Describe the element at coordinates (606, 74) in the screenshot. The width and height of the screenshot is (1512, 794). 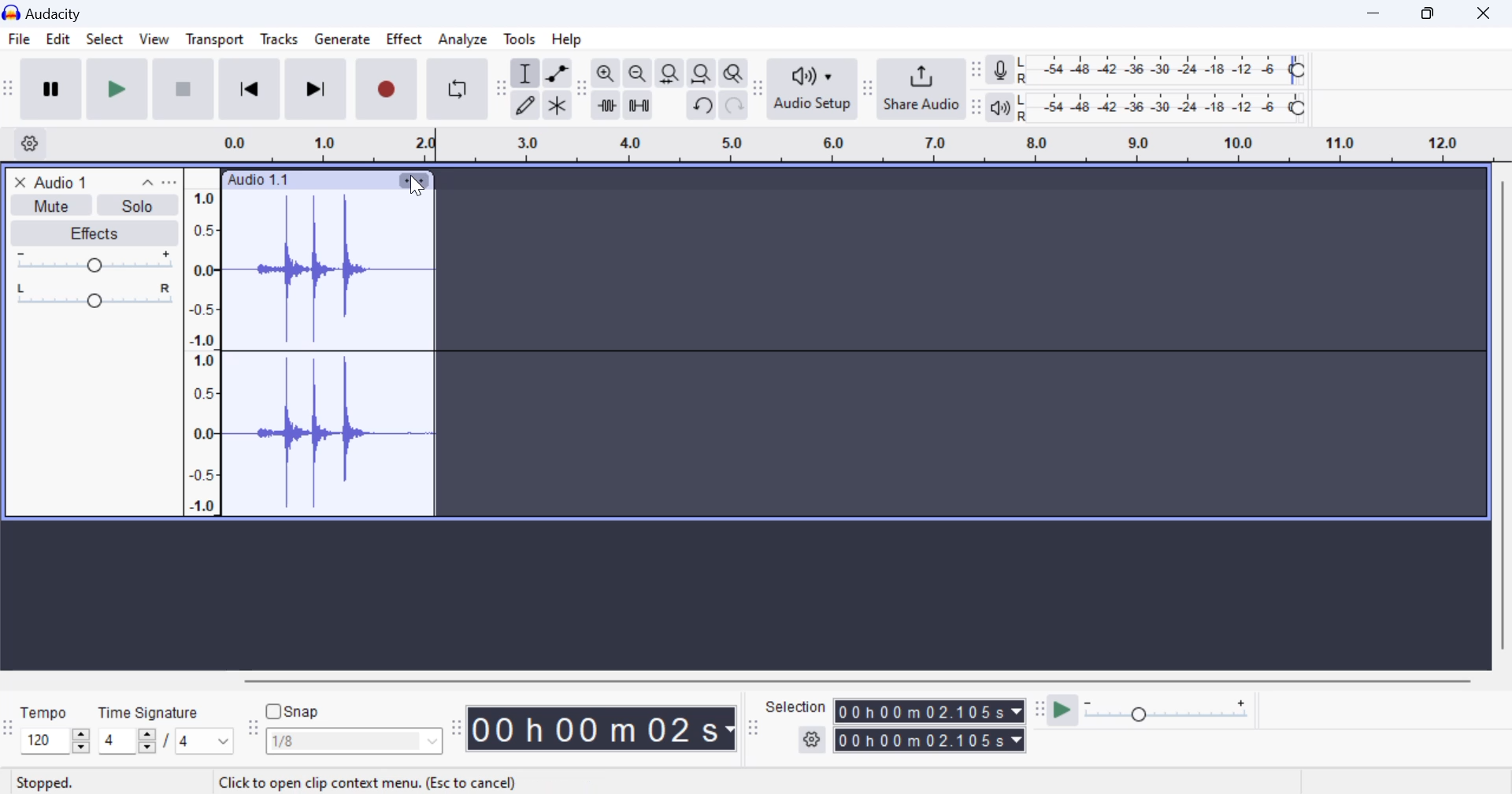
I see `zoom in` at that location.